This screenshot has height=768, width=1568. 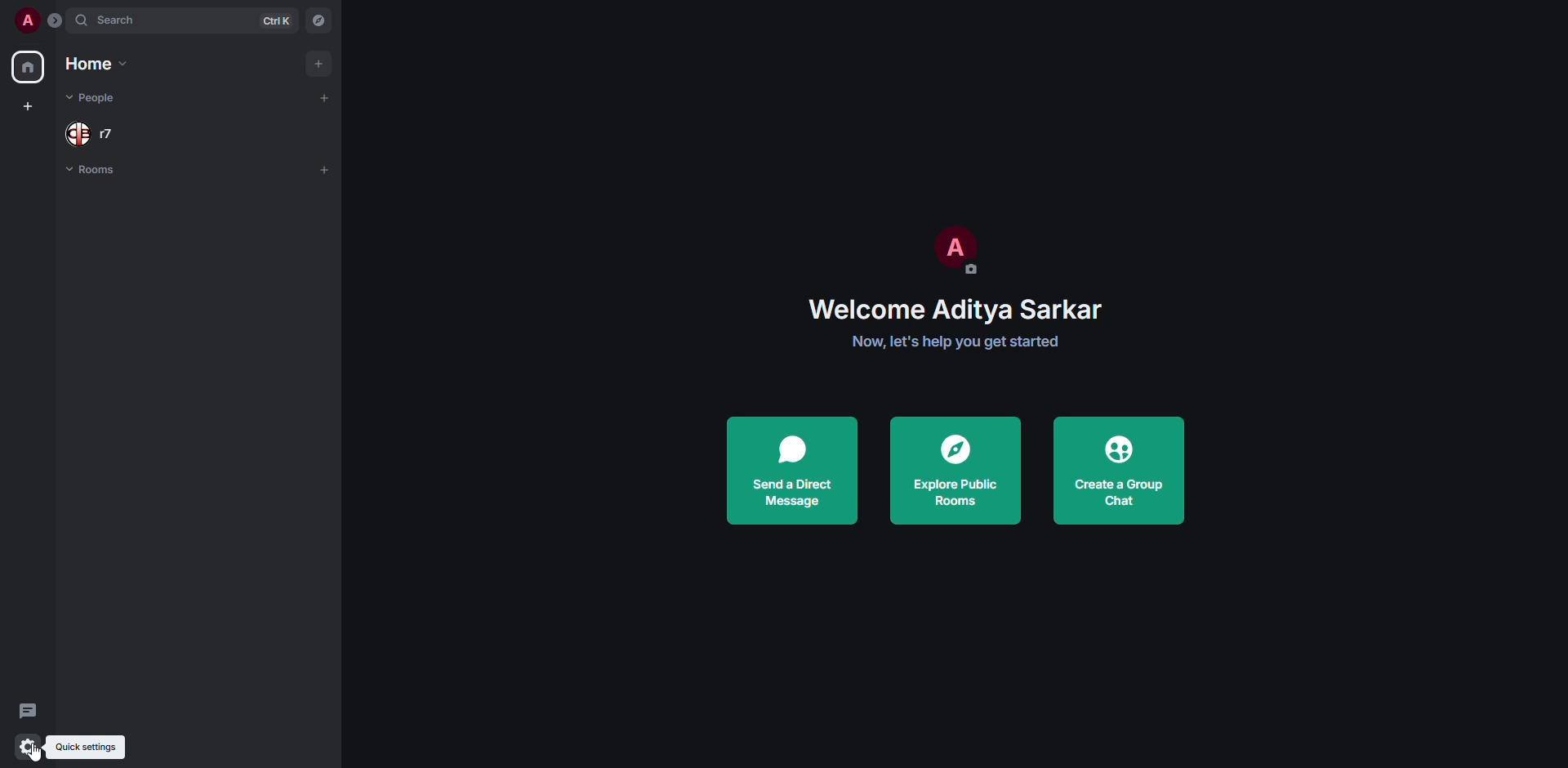 I want to click on navigator, so click(x=318, y=20).